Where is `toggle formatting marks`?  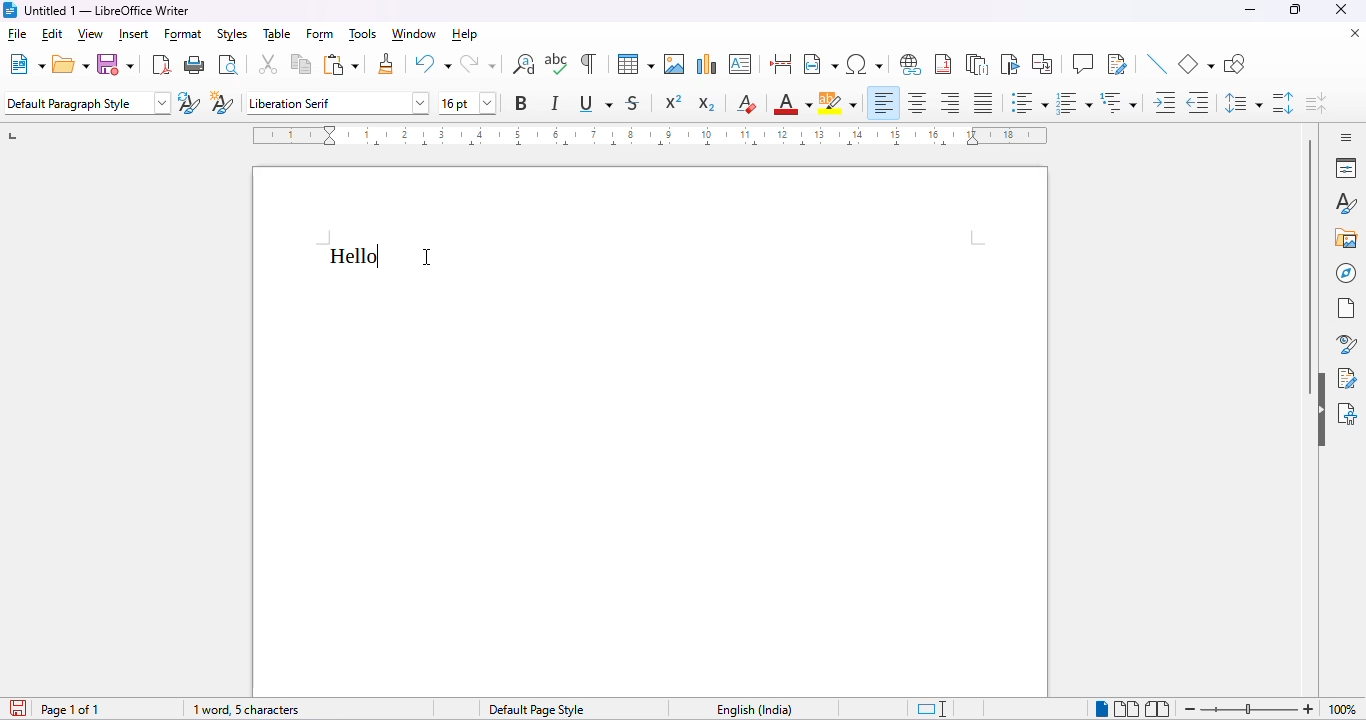
toggle formatting marks is located at coordinates (589, 63).